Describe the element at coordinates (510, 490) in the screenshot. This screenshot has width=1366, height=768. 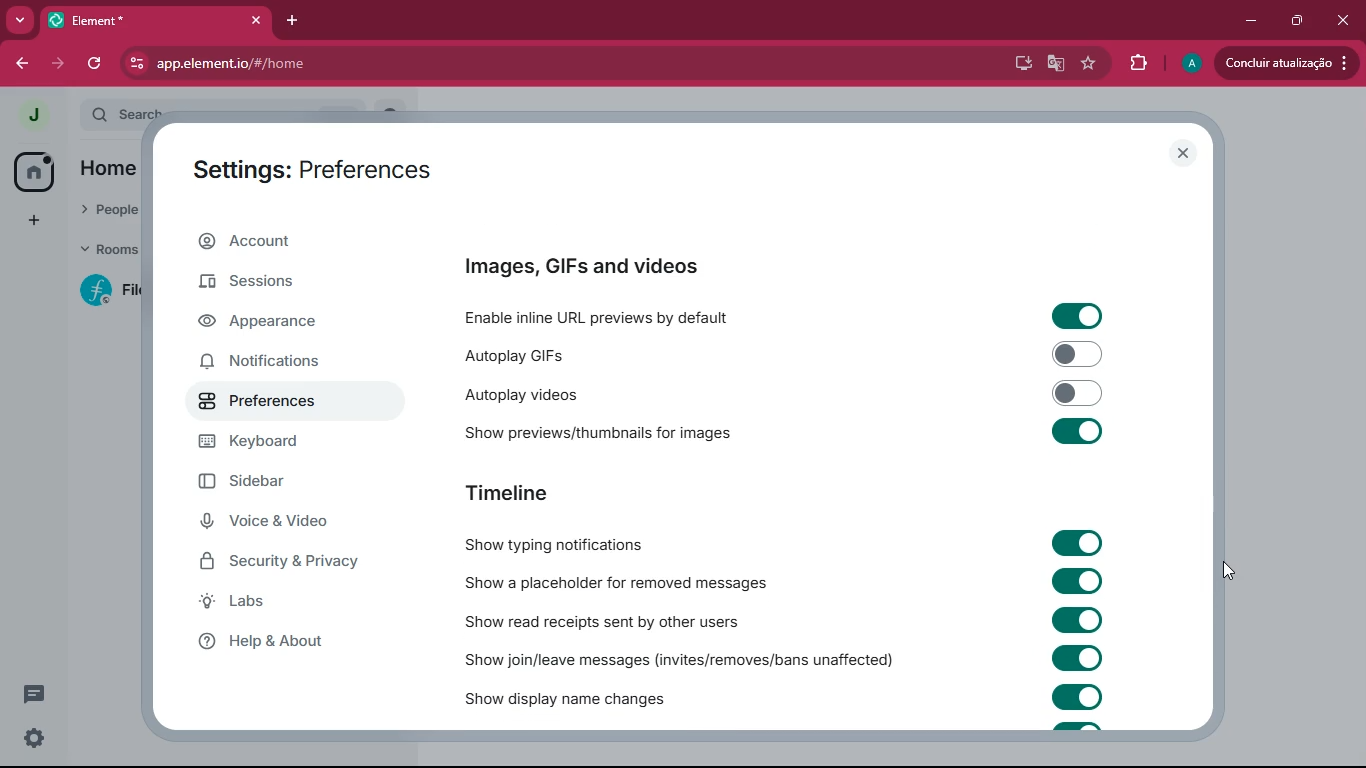
I see `timeline` at that location.